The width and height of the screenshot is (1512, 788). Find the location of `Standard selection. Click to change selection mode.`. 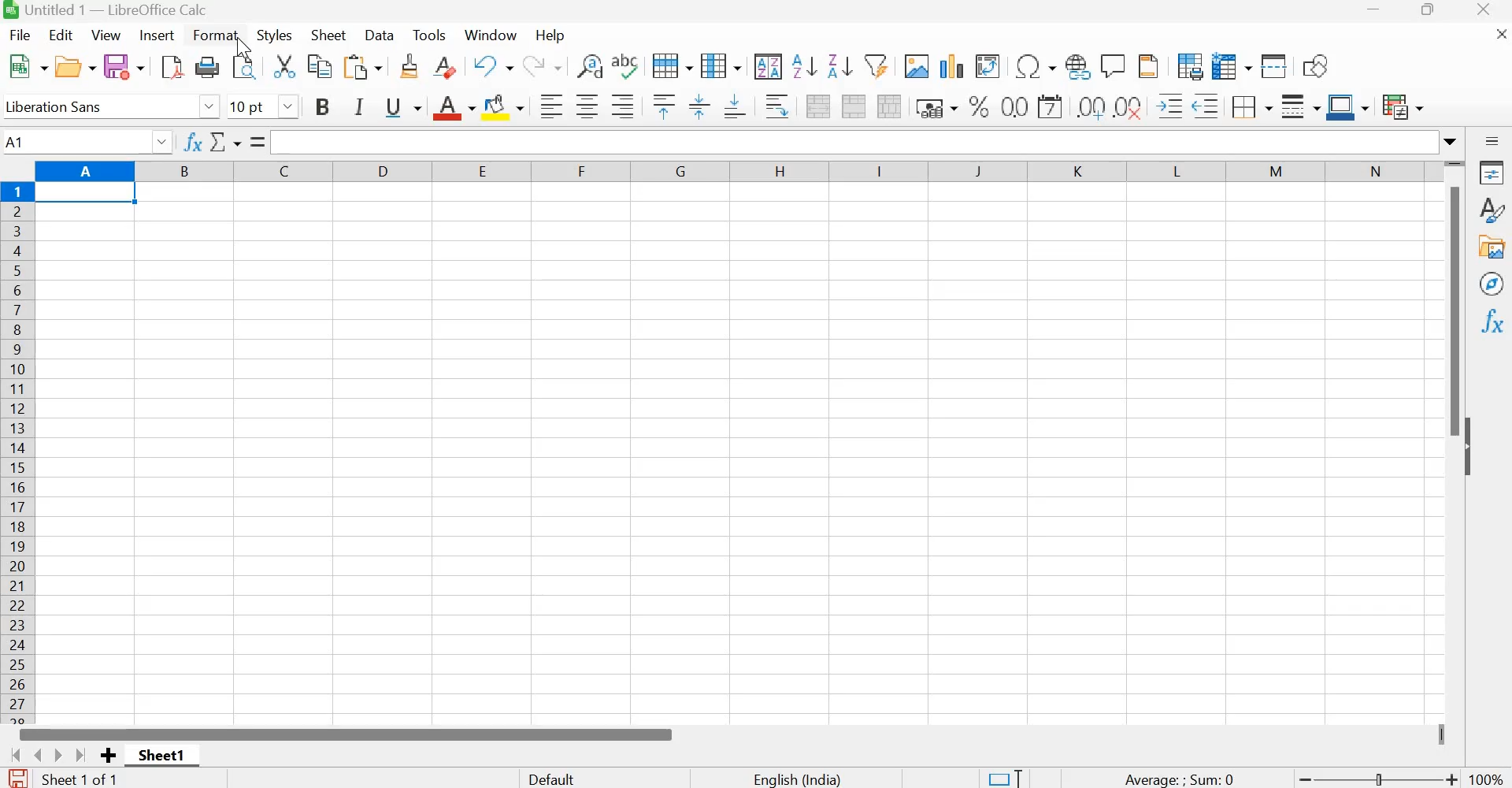

Standard selection. Click to change selection mode. is located at coordinates (1004, 777).